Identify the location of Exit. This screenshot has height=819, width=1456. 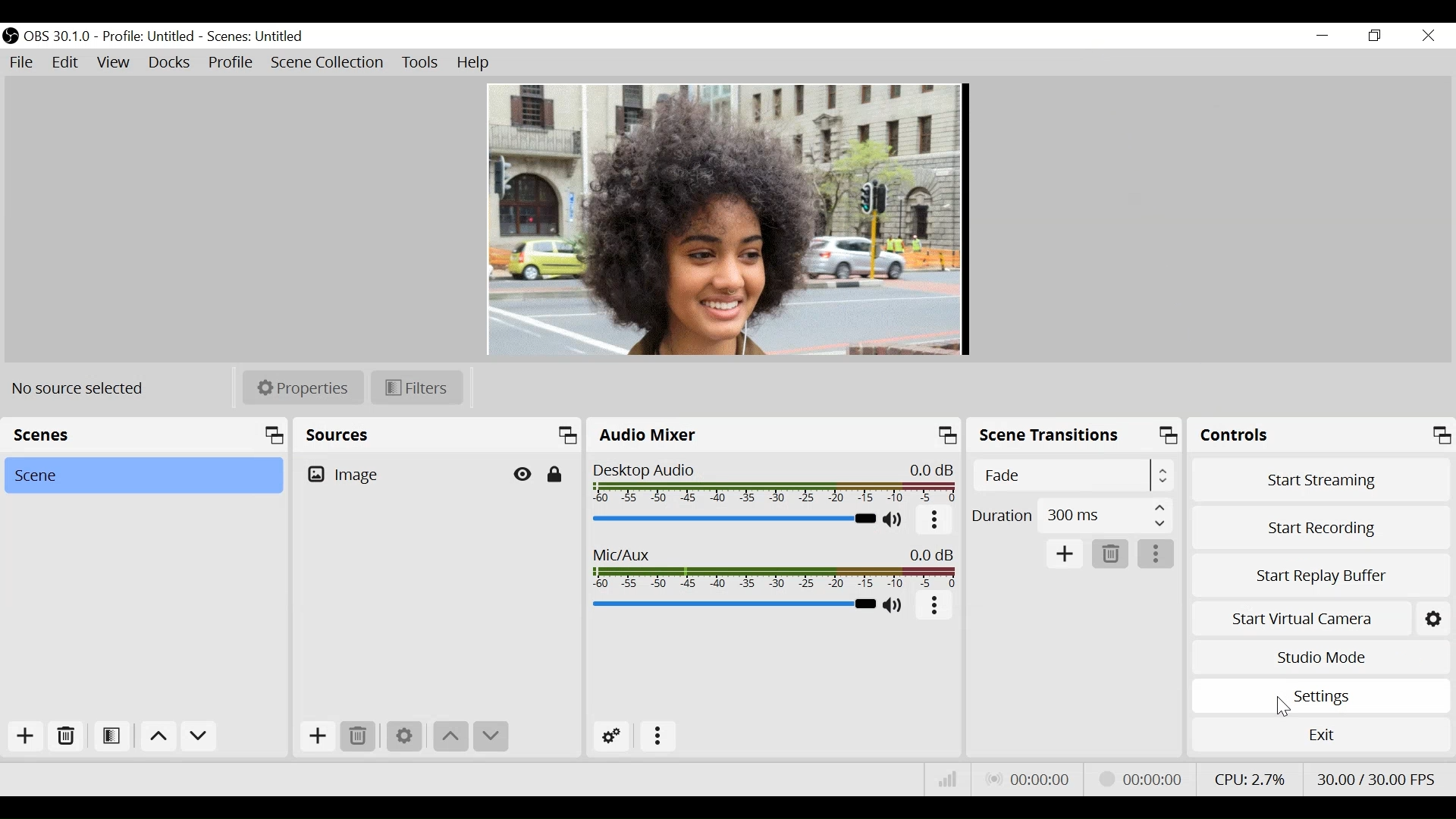
(1320, 739).